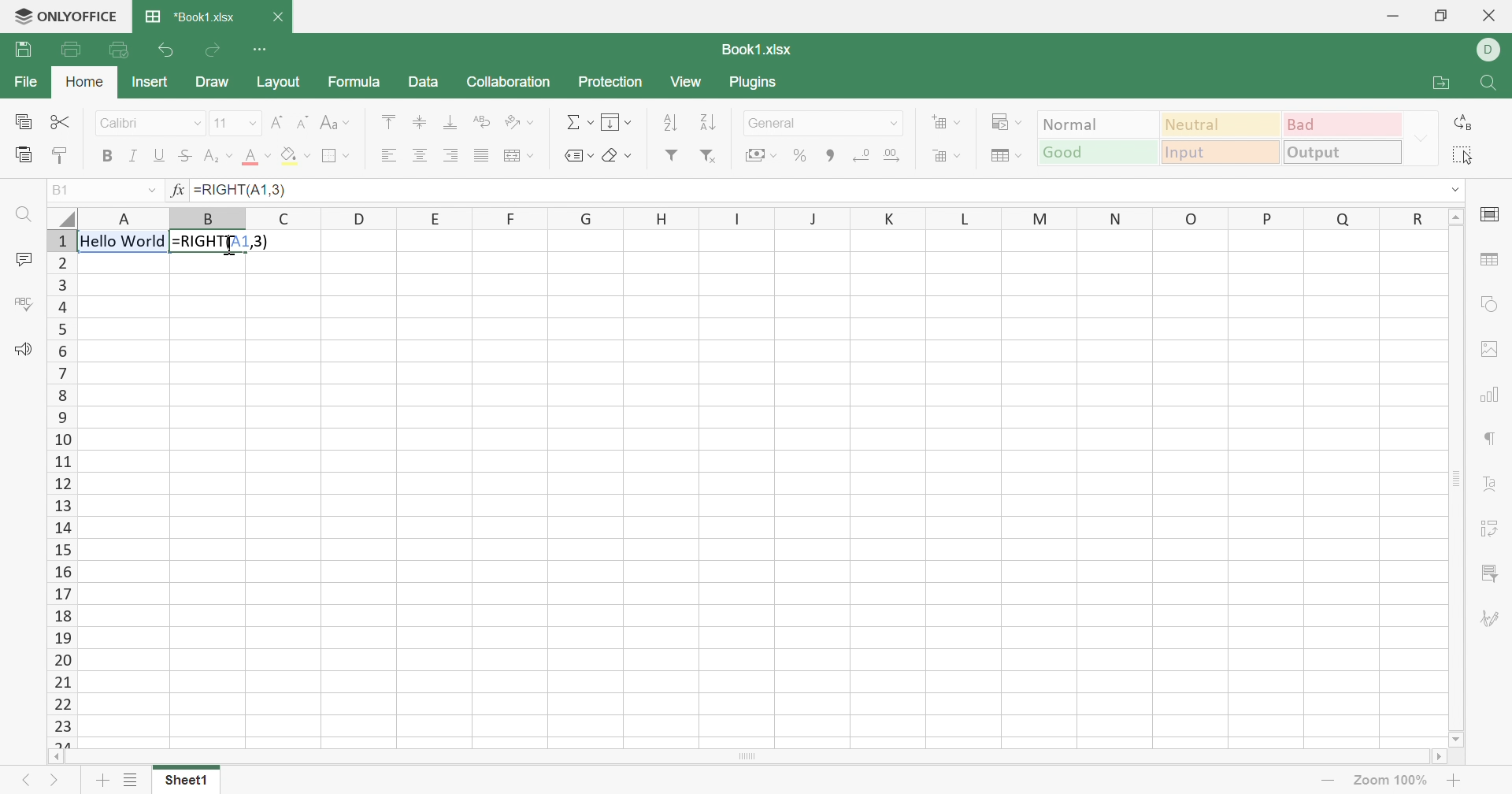 The image size is (1512, 794). I want to click on Close, so click(275, 17).